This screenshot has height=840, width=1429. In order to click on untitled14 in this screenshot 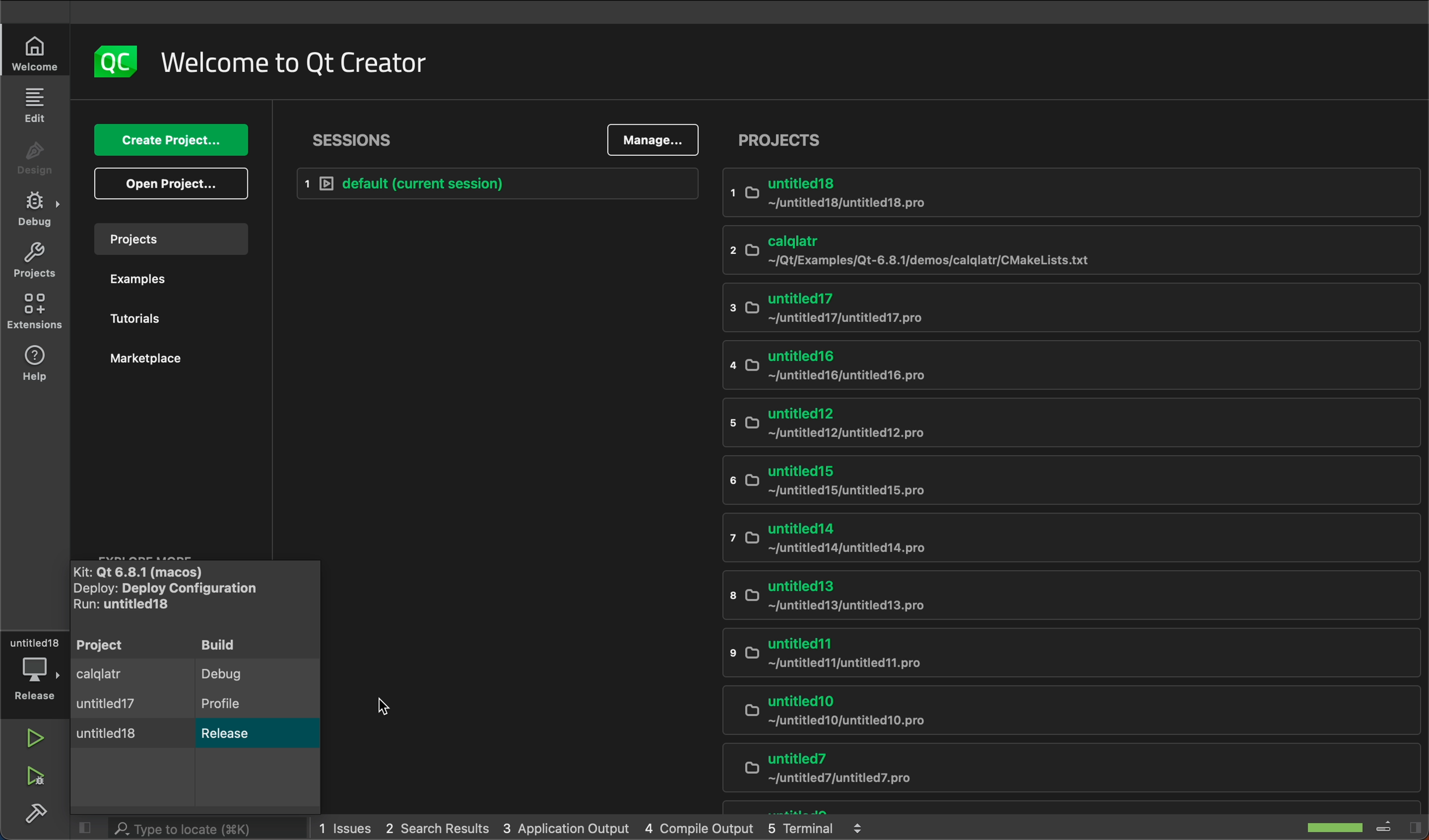, I will do `click(1051, 540)`.